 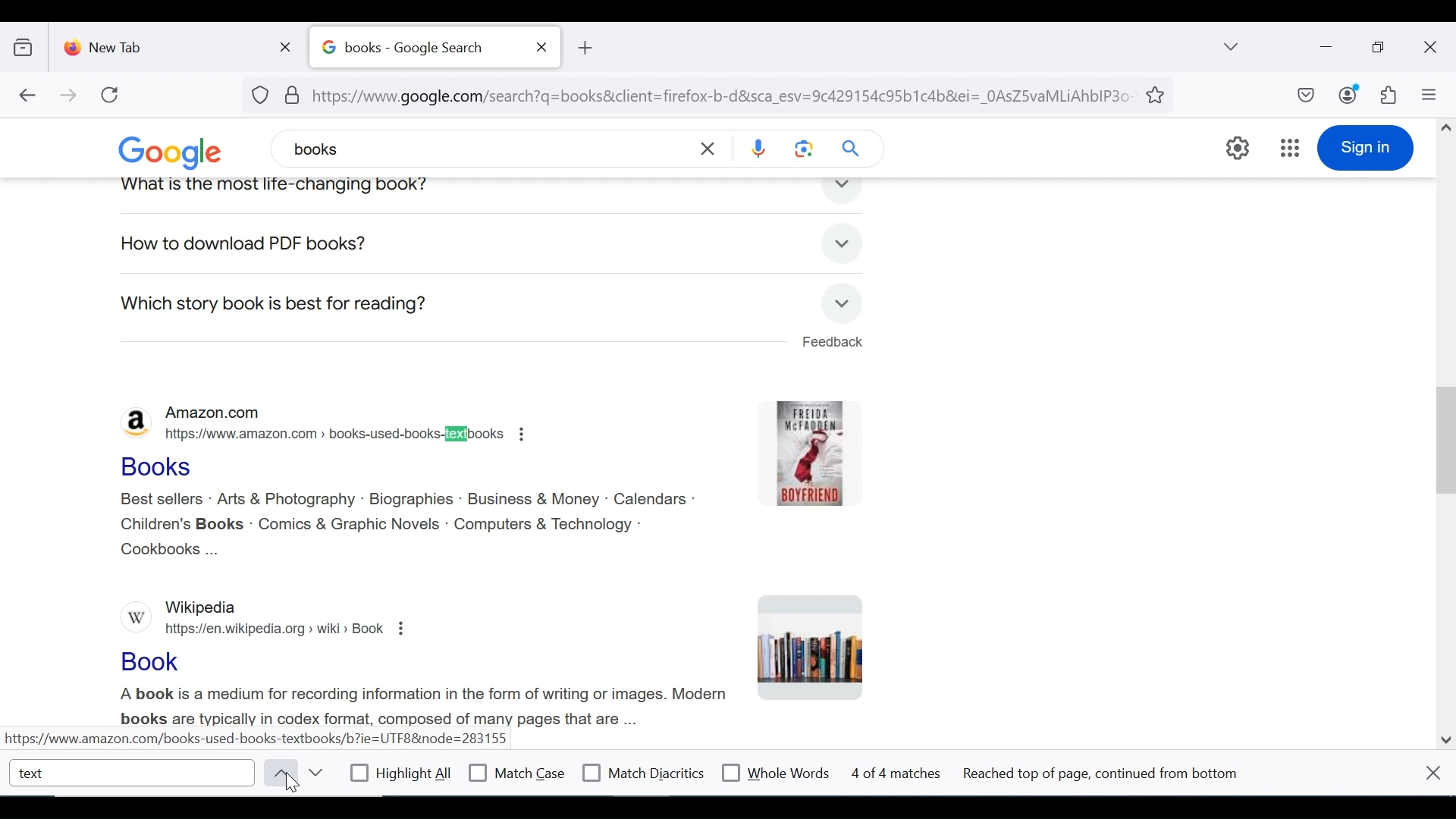 What do you see at coordinates (199, 605) in the screenshot?
I see `wikipedia` at bounding box center [199, 605].